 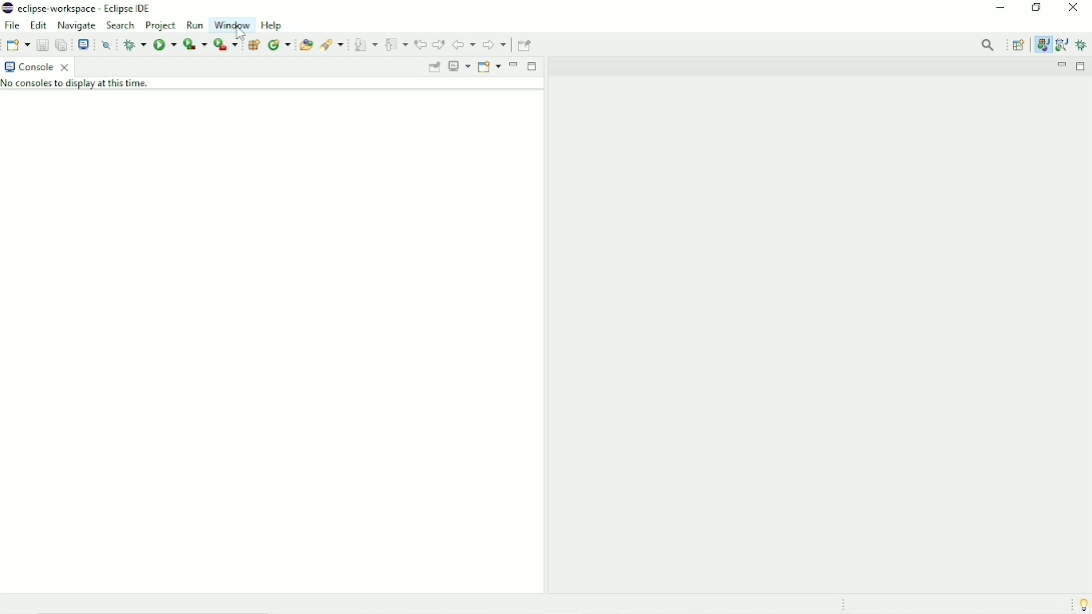 I want to click on Debug, so click(x=1082, y=45).